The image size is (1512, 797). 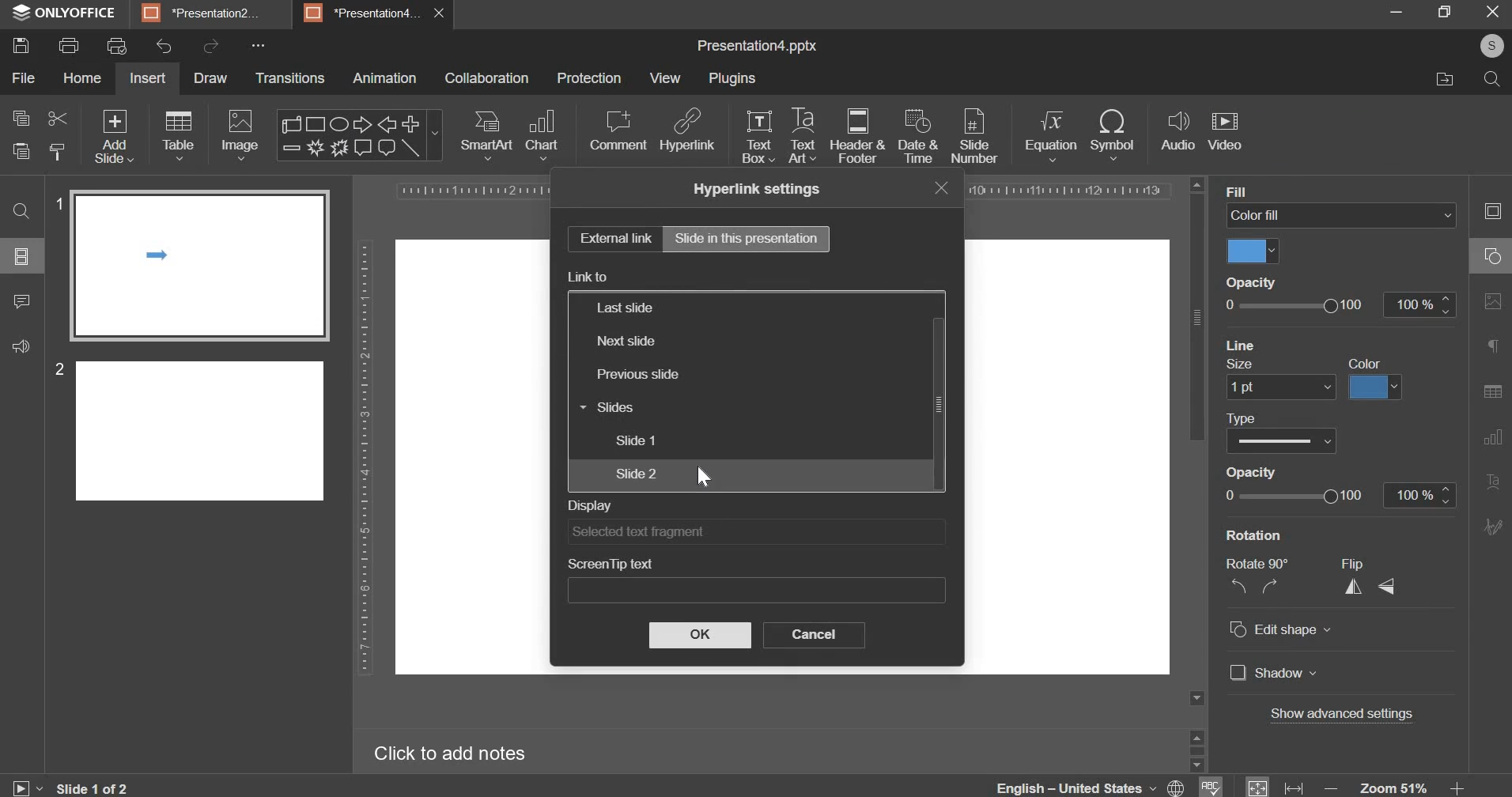 What do you see at coordinates (1249, 283) in the screenshot?
I see `Opacity` at bounding box center [1249, 283].